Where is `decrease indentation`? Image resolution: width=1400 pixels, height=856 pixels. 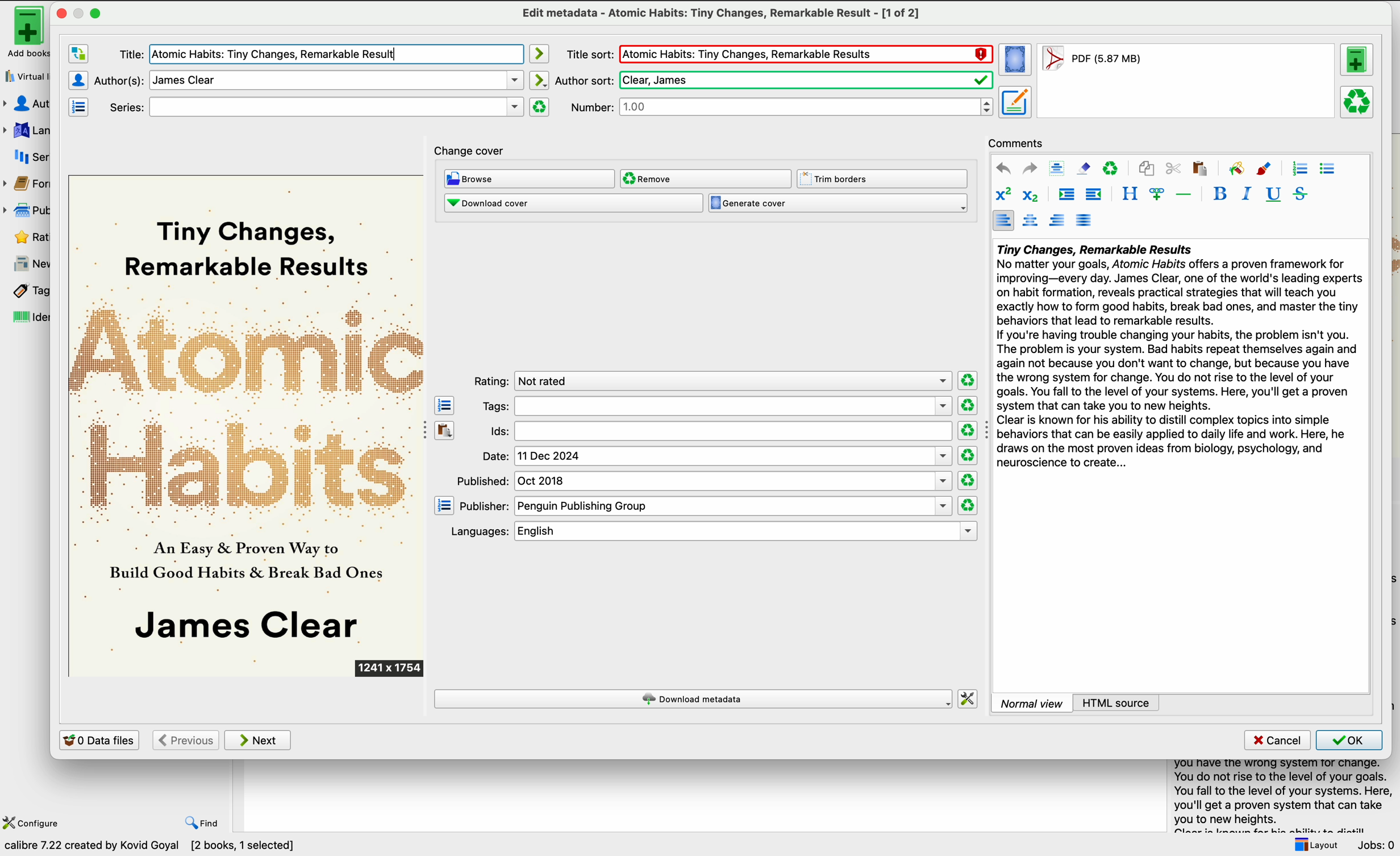
decrease indentation is located at coordinates (1095, 195).